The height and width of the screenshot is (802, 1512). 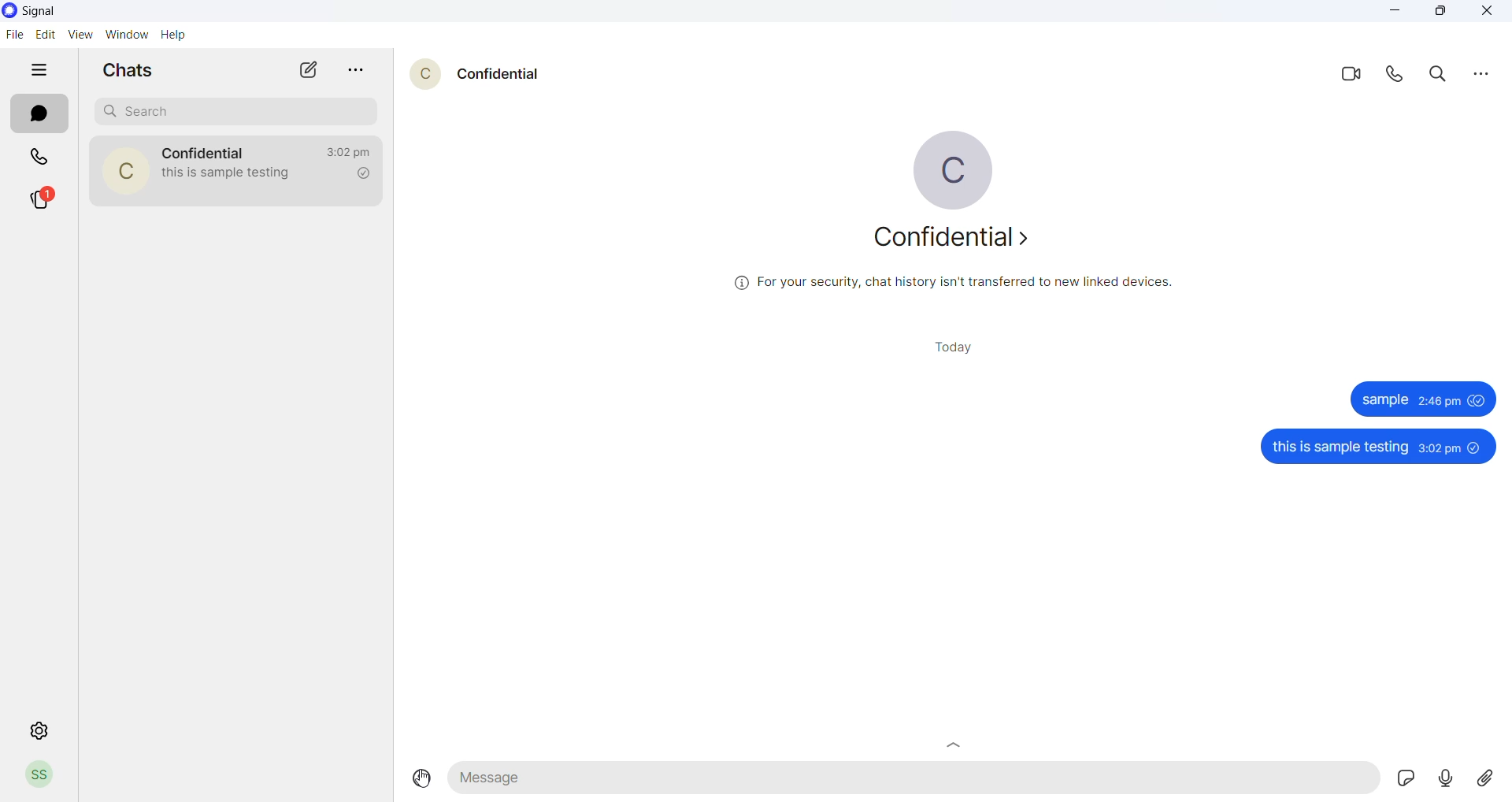 I want to click on calls, so click(x=37, y=158).